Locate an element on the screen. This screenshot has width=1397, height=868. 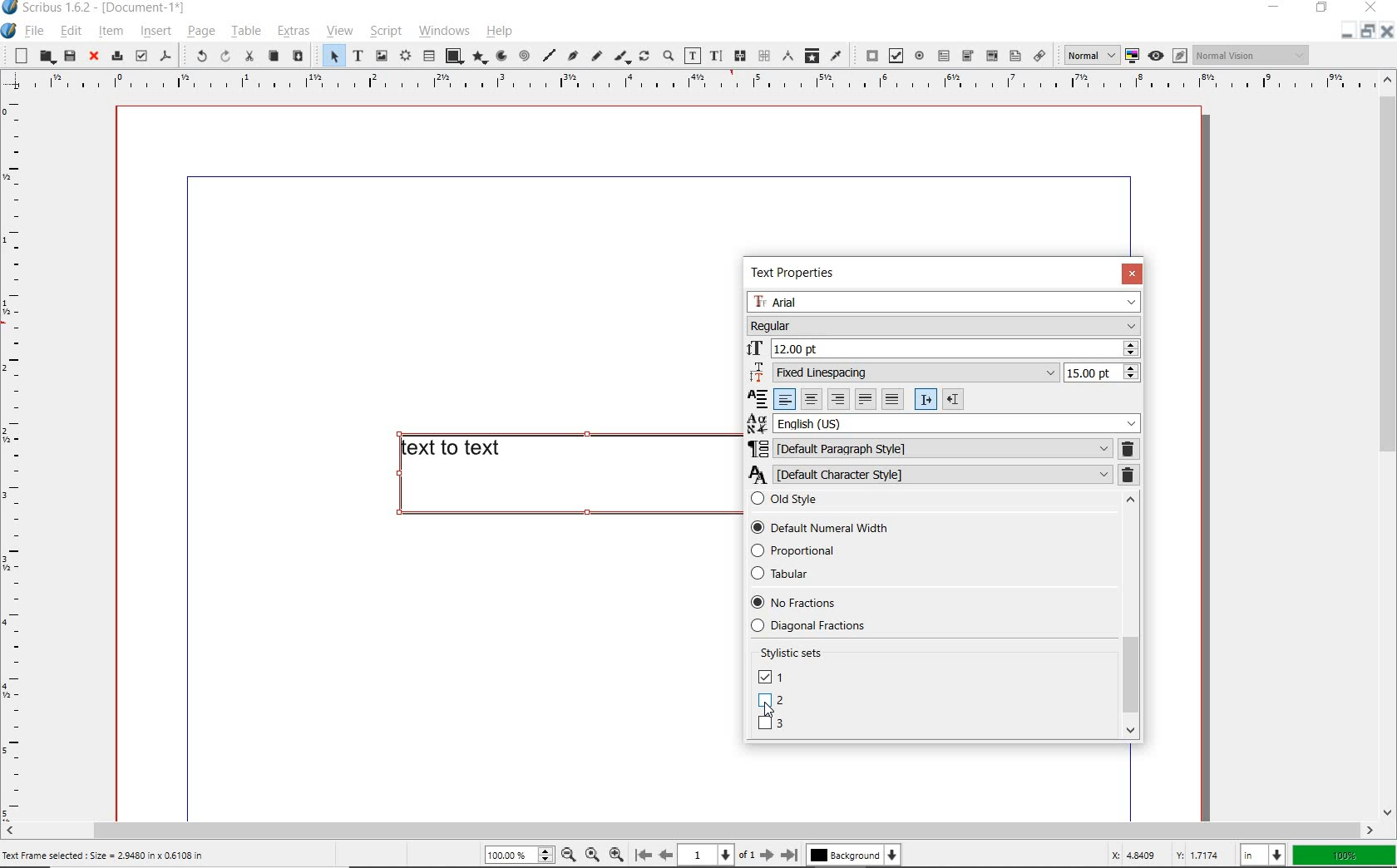
cut is located at coordinates (249, 57).